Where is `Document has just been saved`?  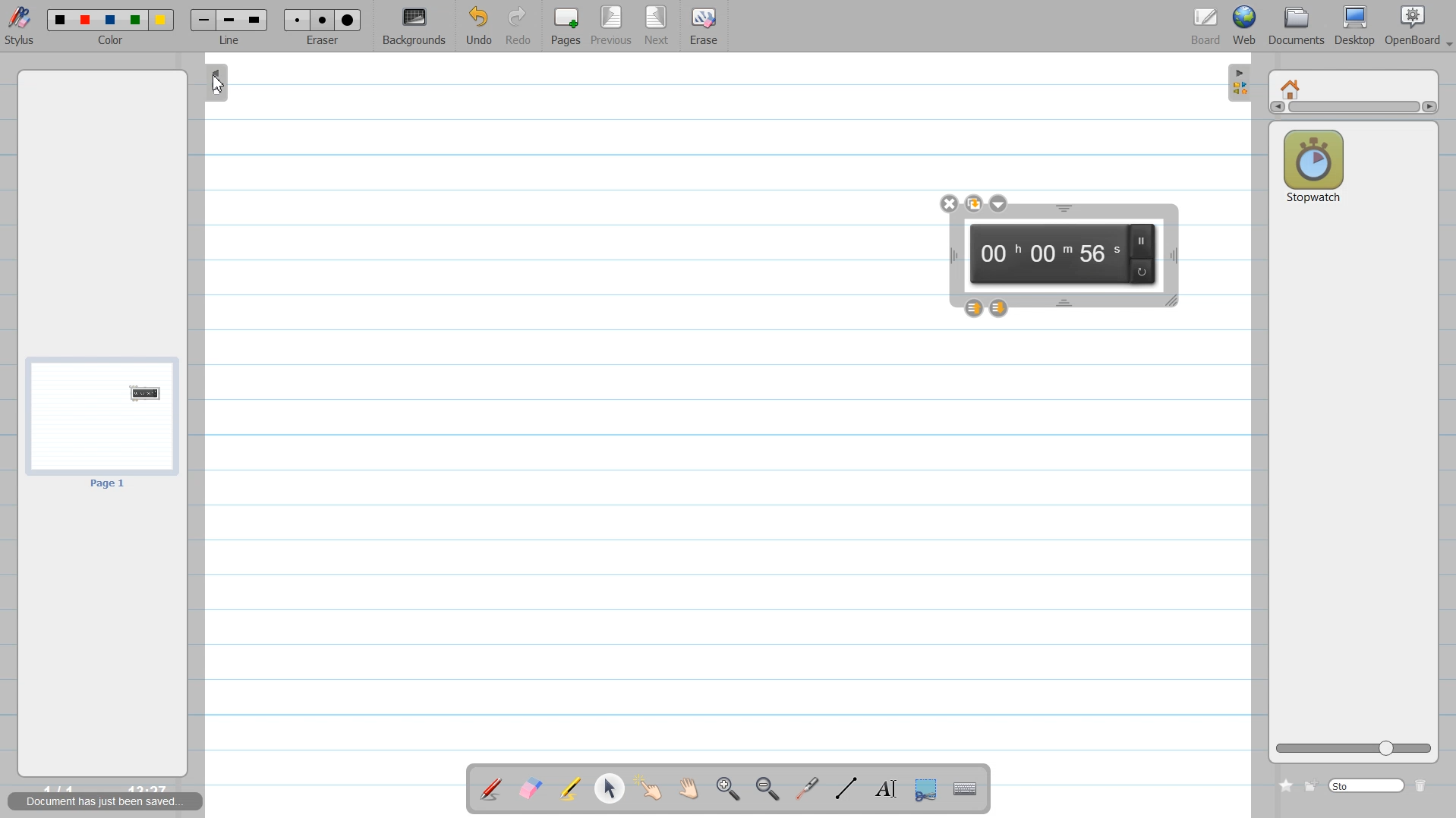 Document has just been saved is located at coordinates (107, 802).